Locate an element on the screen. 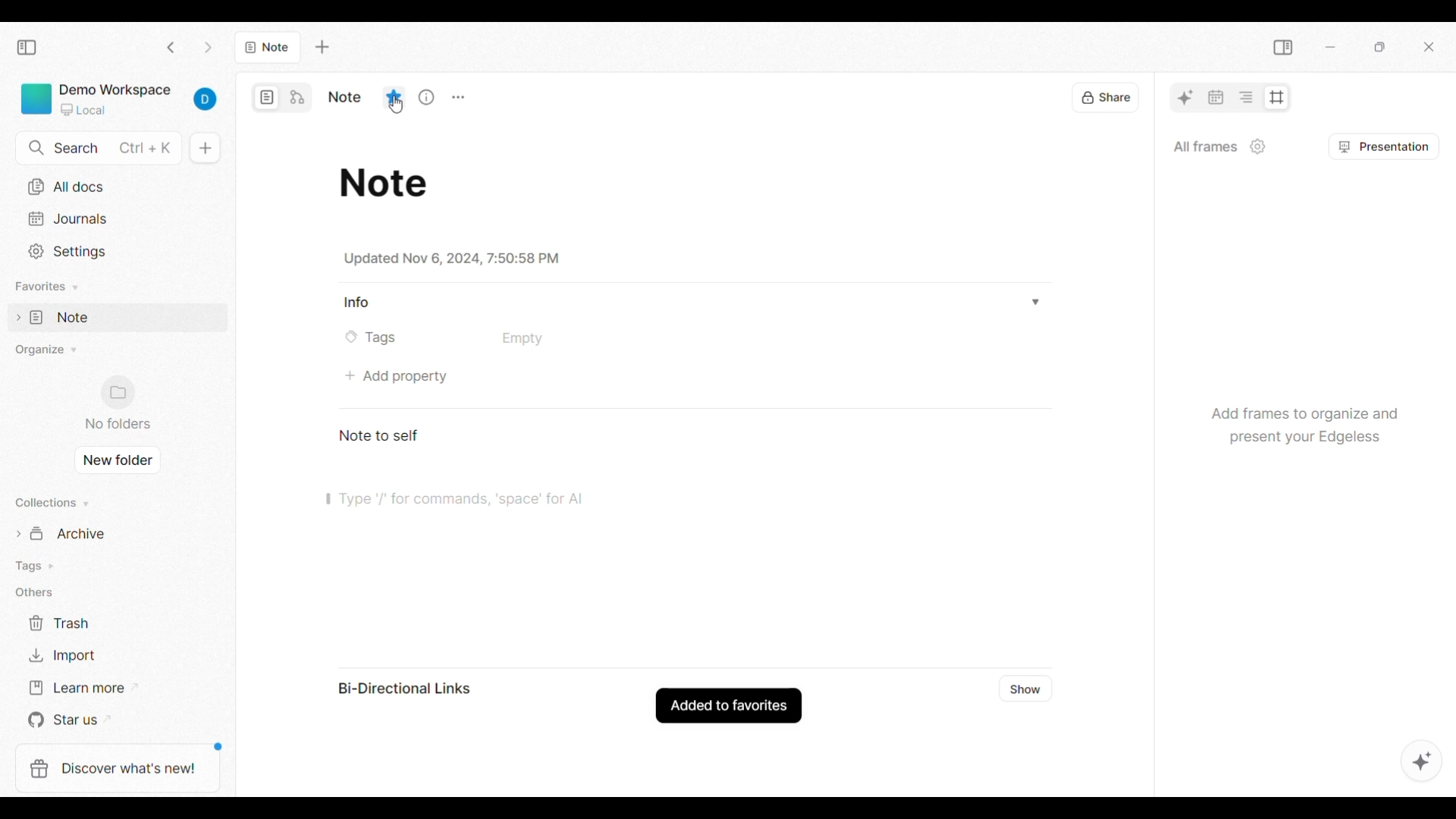 This screenshot has width=1456, height=819. Name of current note is located at coordinates (345, 97).